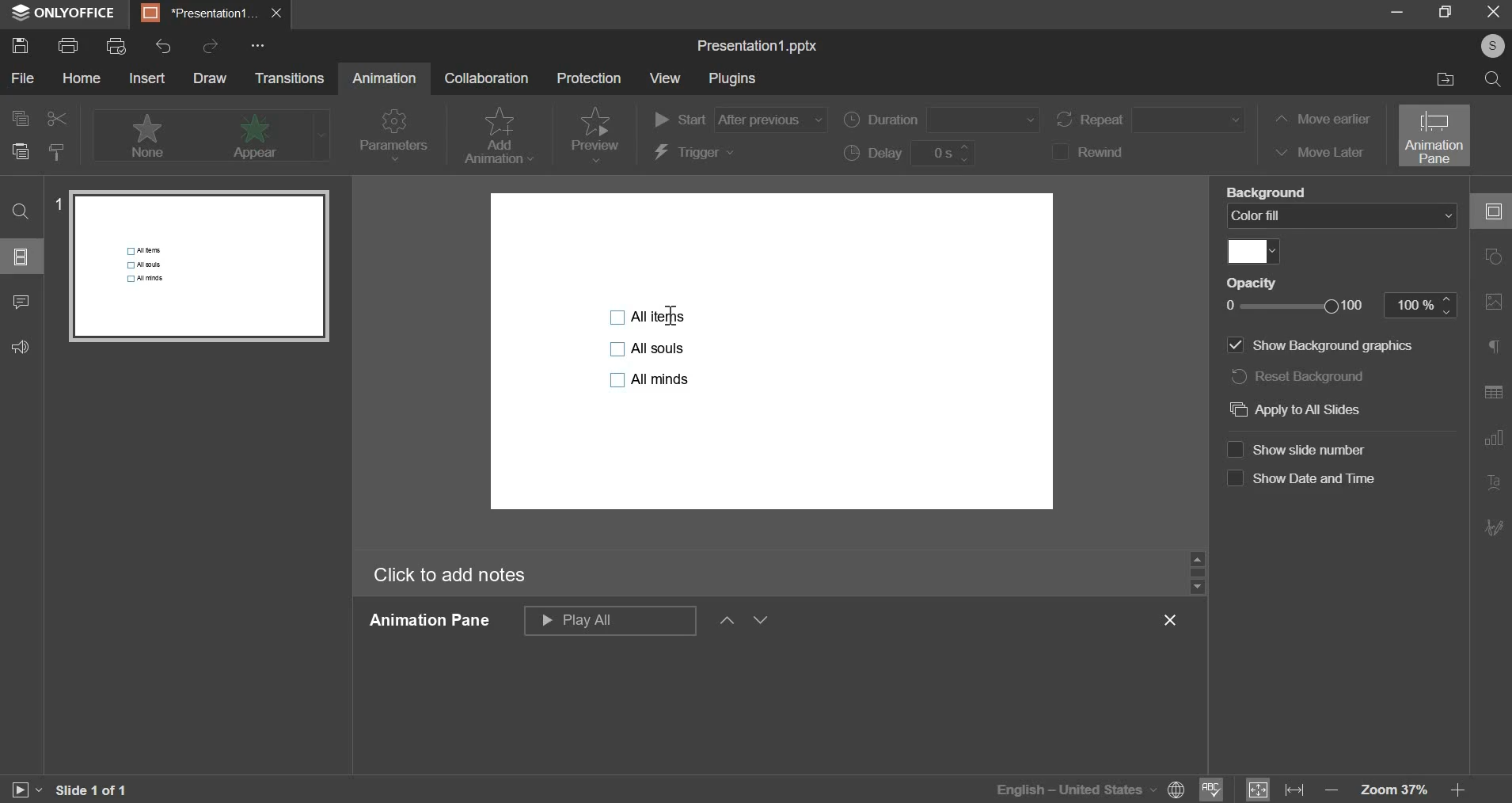 This screenshot has width=1512, height=803. I want to click on animation pane, so click(1435, 135).